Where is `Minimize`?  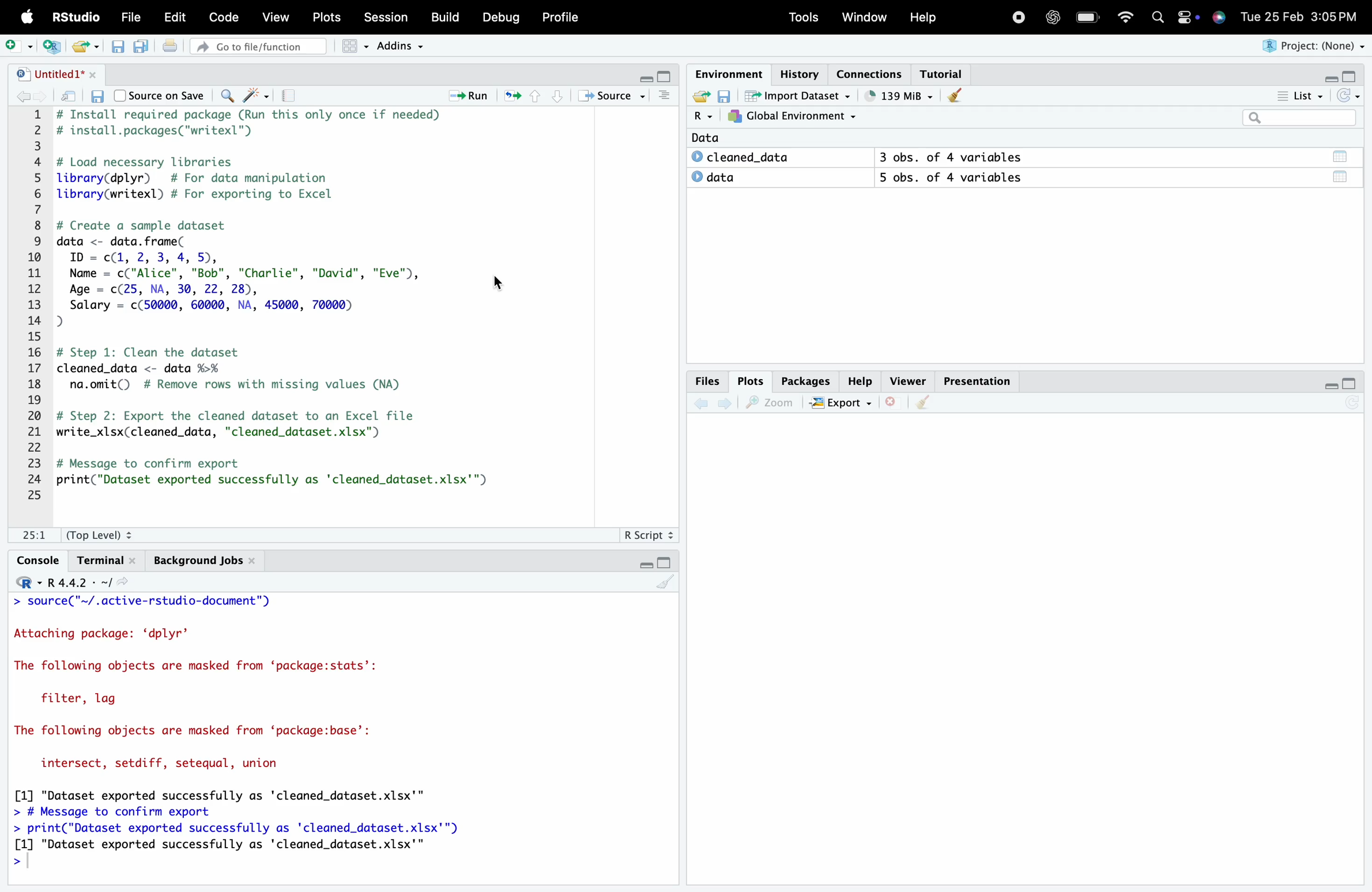
Minimize is located at coordinates (647, 79).